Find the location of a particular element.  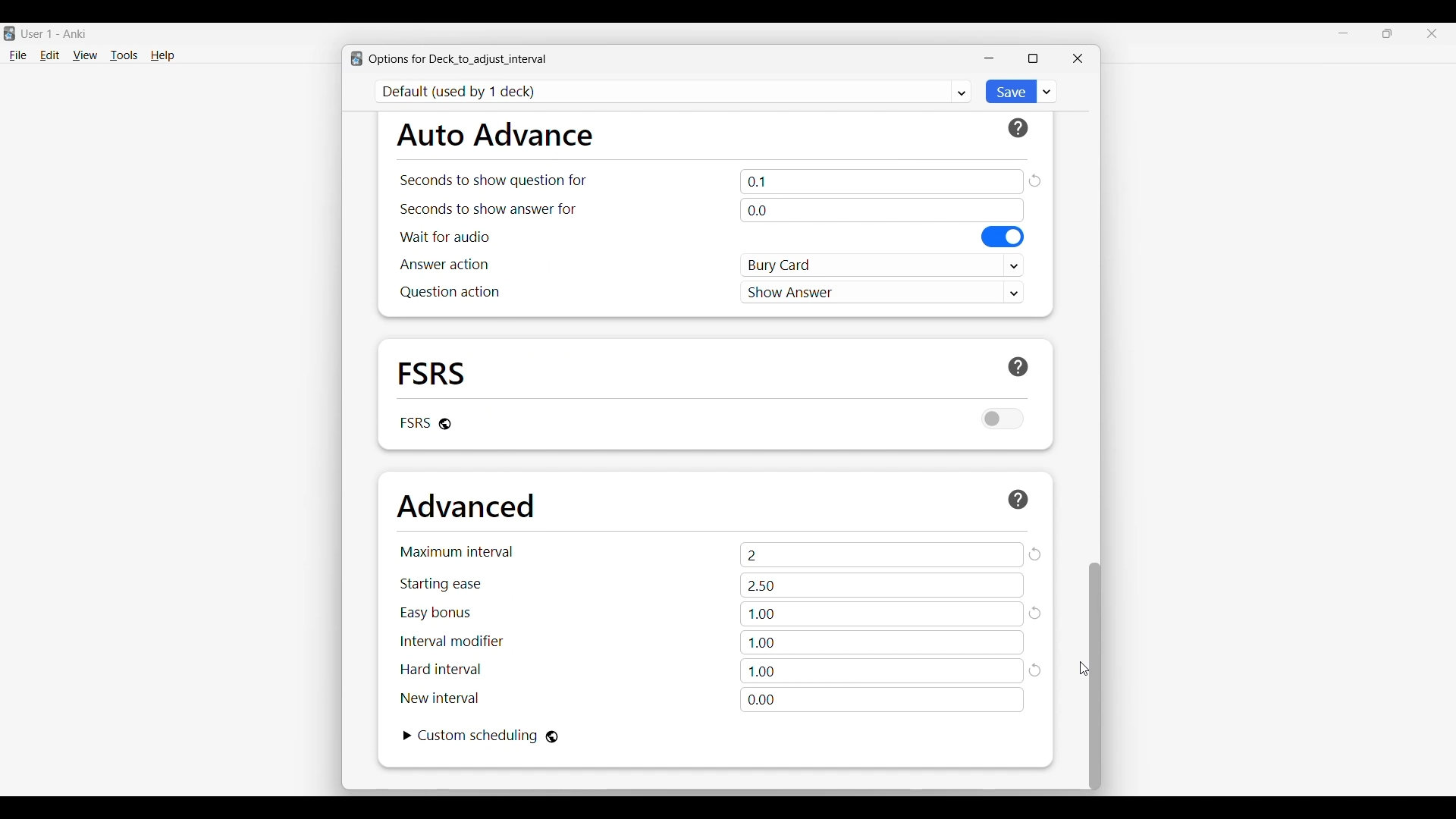

Indicates new interval is located at coordinates (439, 698).